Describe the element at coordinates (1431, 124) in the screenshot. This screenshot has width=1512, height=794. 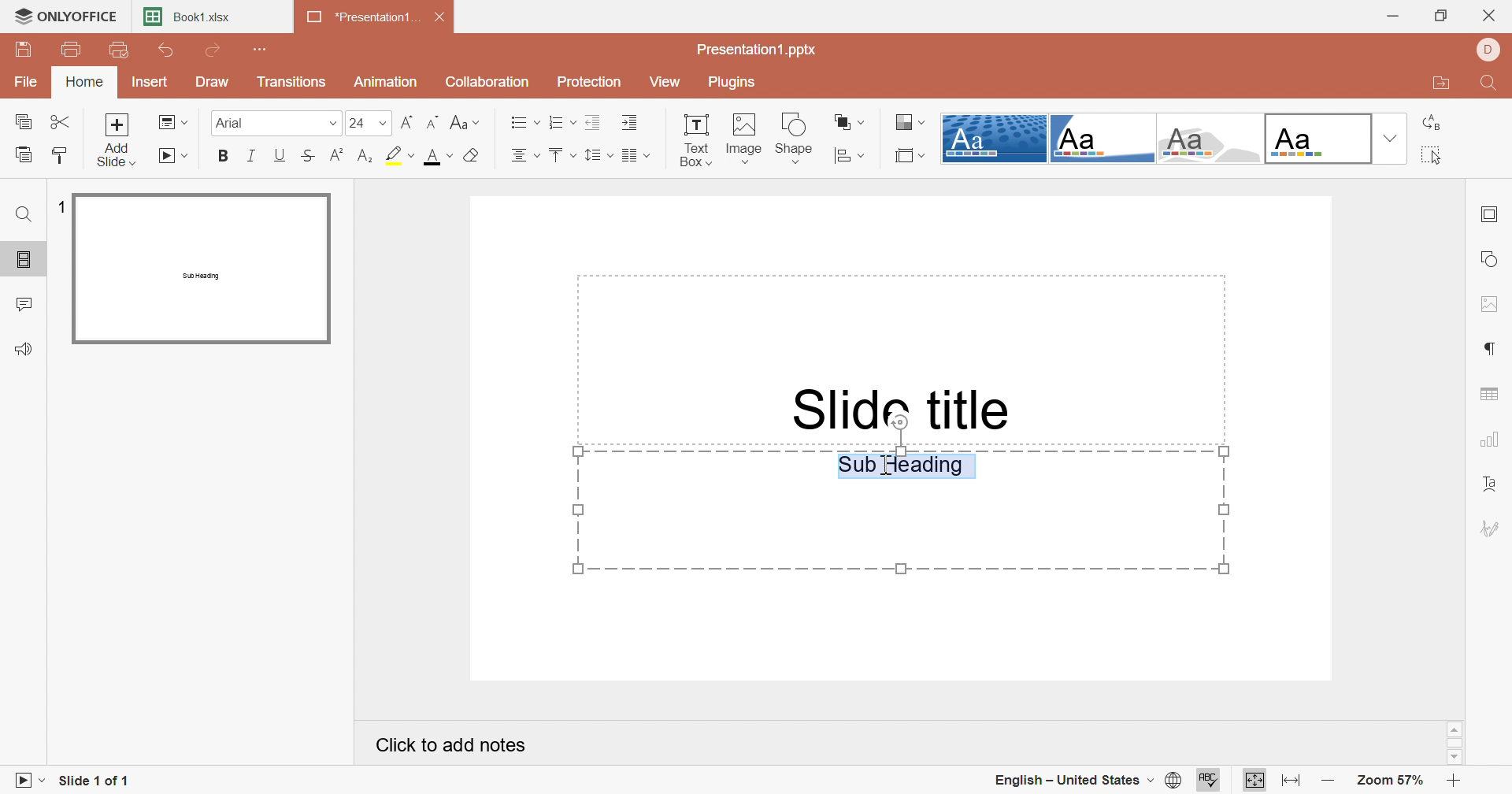
I see `Replace` at that location.